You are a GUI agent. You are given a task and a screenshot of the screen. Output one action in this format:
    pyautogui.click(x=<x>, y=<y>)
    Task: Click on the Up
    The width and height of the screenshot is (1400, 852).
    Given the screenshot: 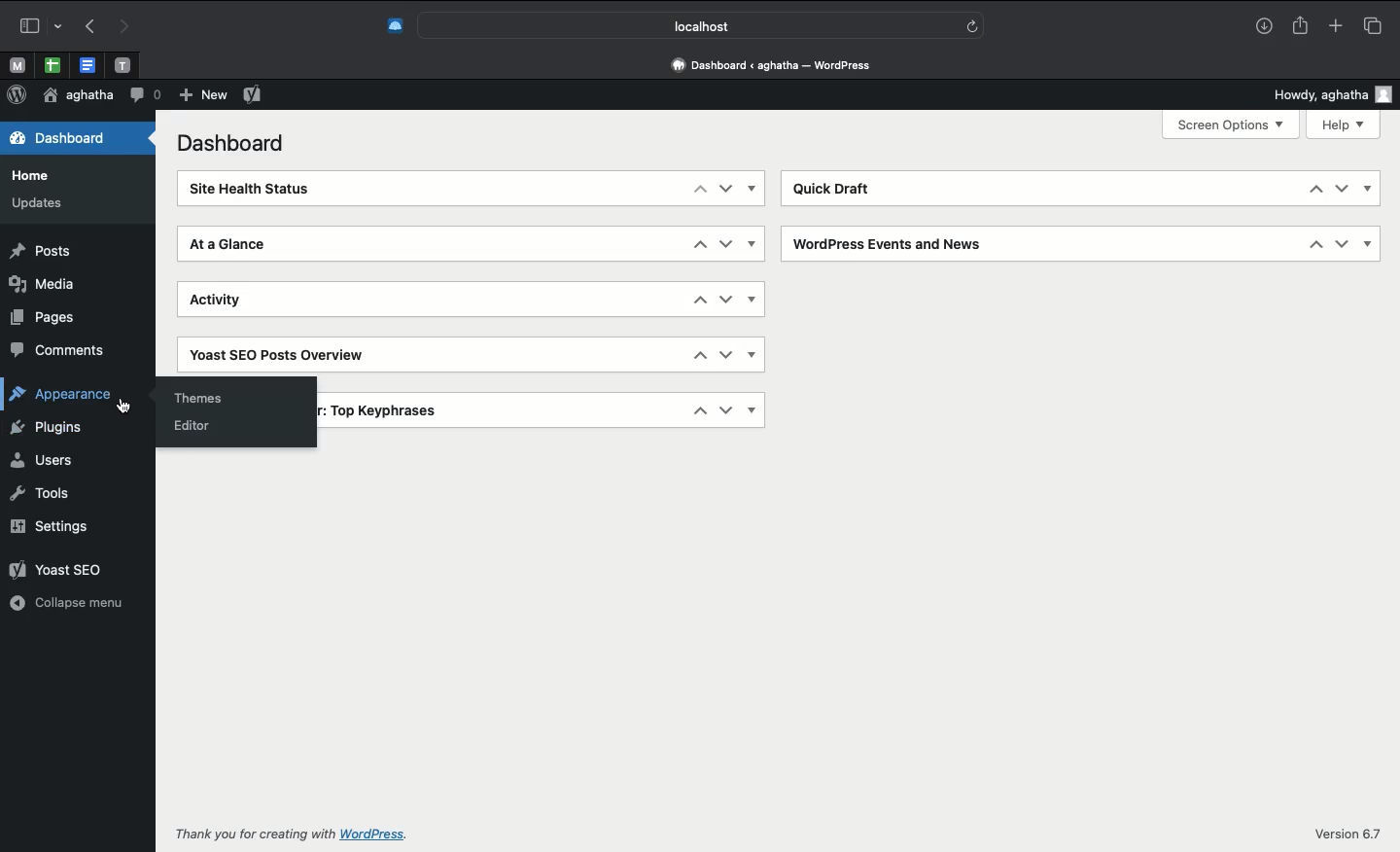 What is the action you would take?
    pyautogui.click(x=1313, y=245)
    